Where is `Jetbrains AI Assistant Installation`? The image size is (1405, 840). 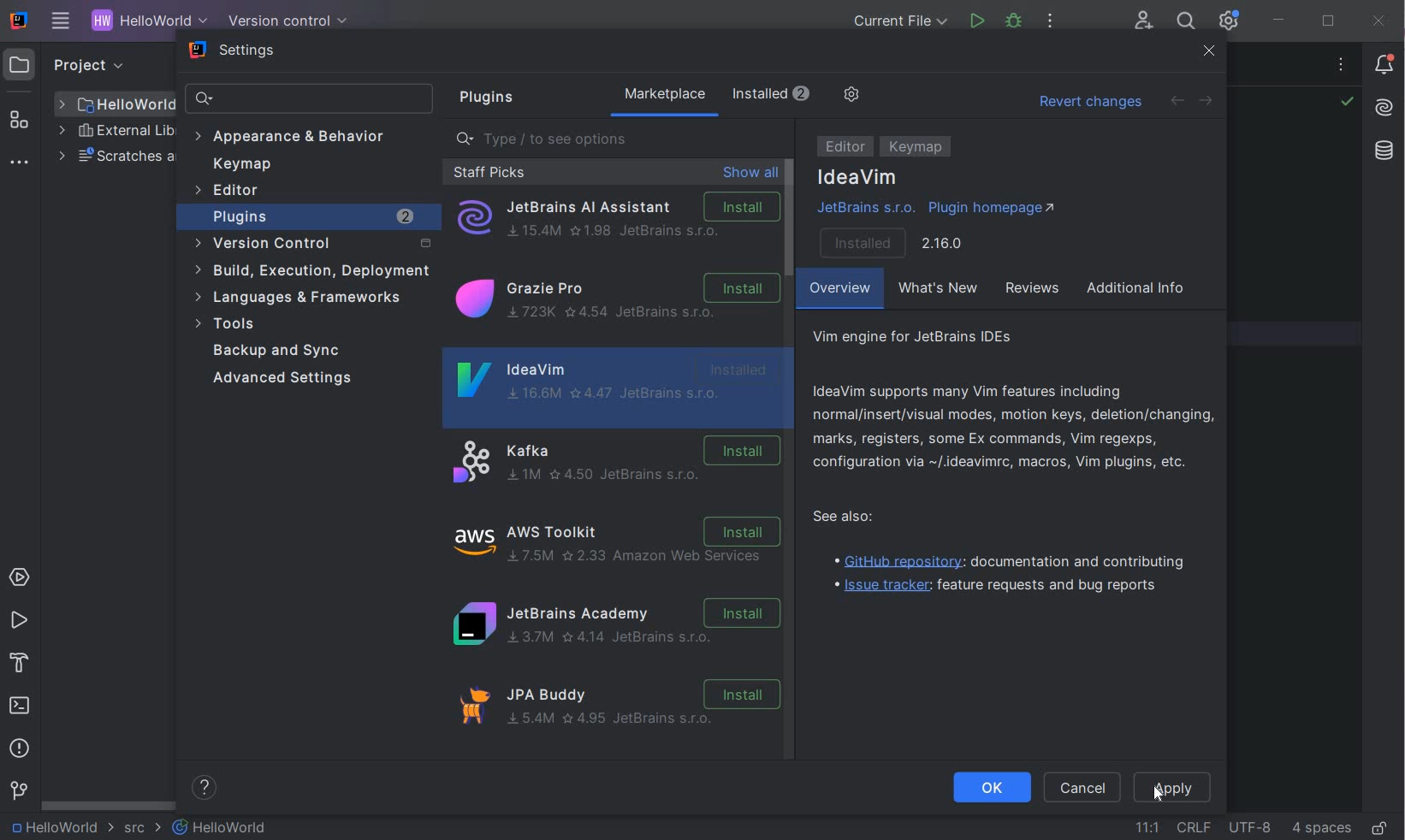
Jetbrains AI Assistant Installation is located at coordinates (616, 218).